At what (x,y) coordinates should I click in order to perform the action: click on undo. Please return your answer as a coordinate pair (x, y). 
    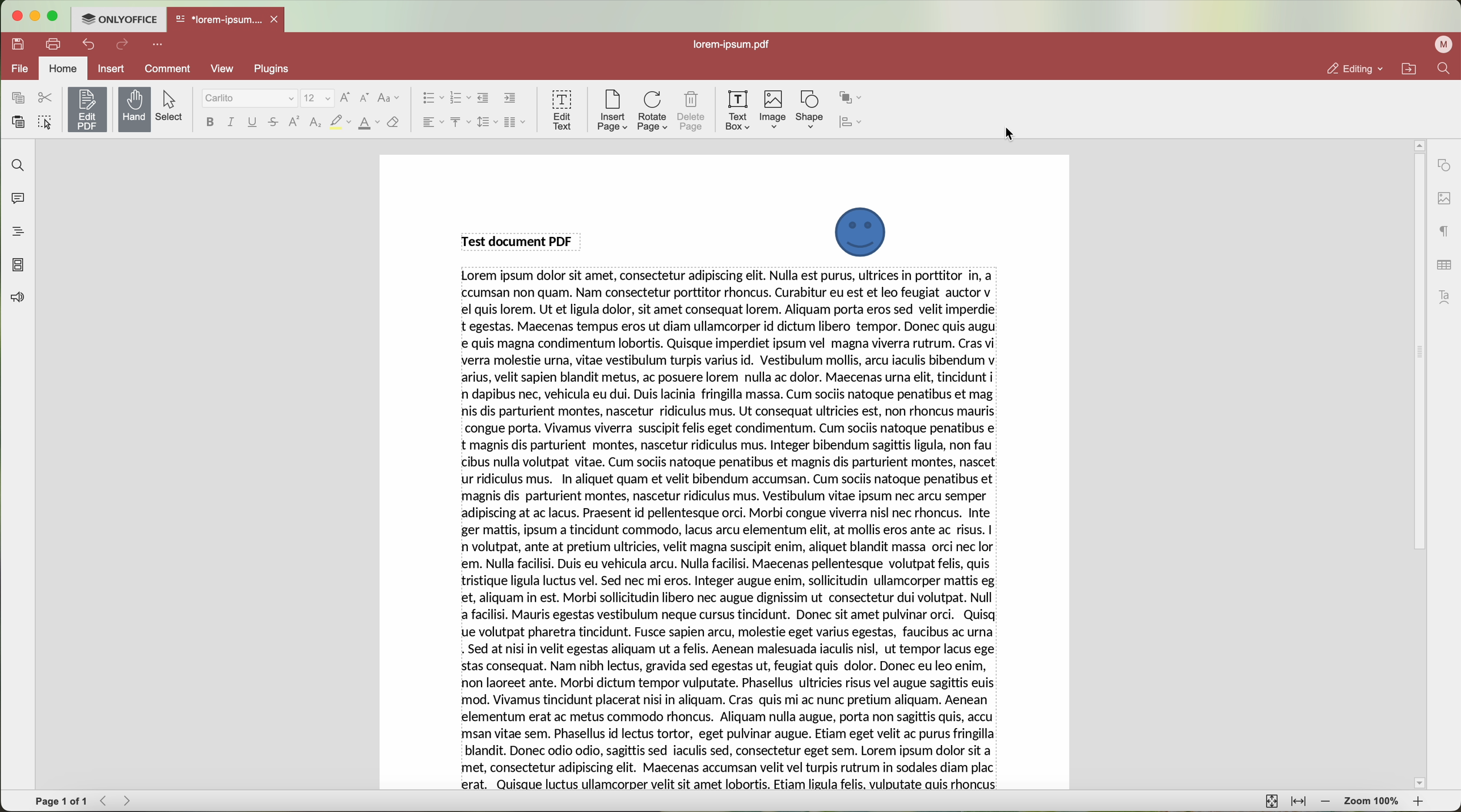
    Looking at the image, I should click on (90, 44).